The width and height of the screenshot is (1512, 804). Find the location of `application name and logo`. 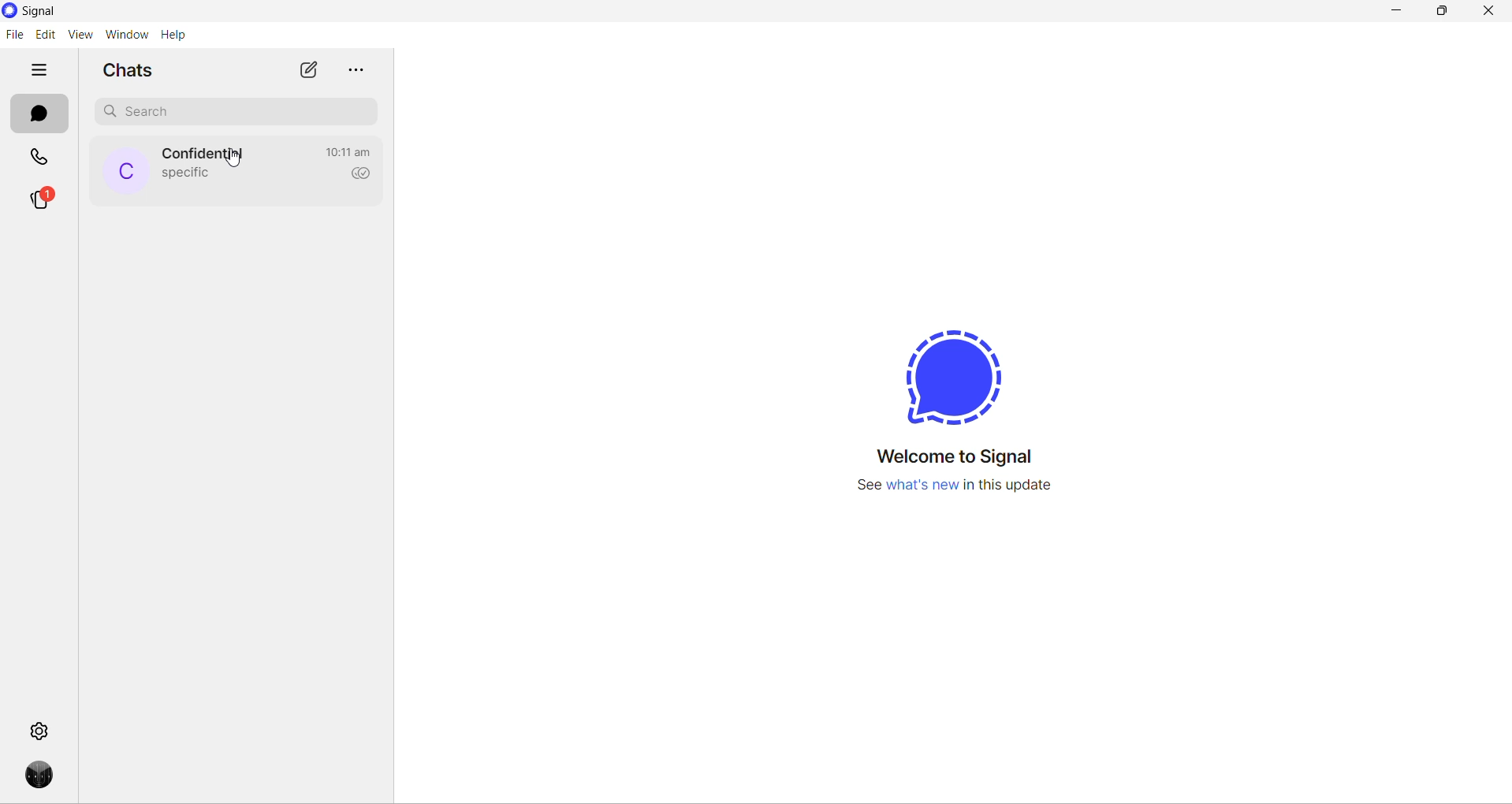

application name and logo is located at coordinates (47, 13).